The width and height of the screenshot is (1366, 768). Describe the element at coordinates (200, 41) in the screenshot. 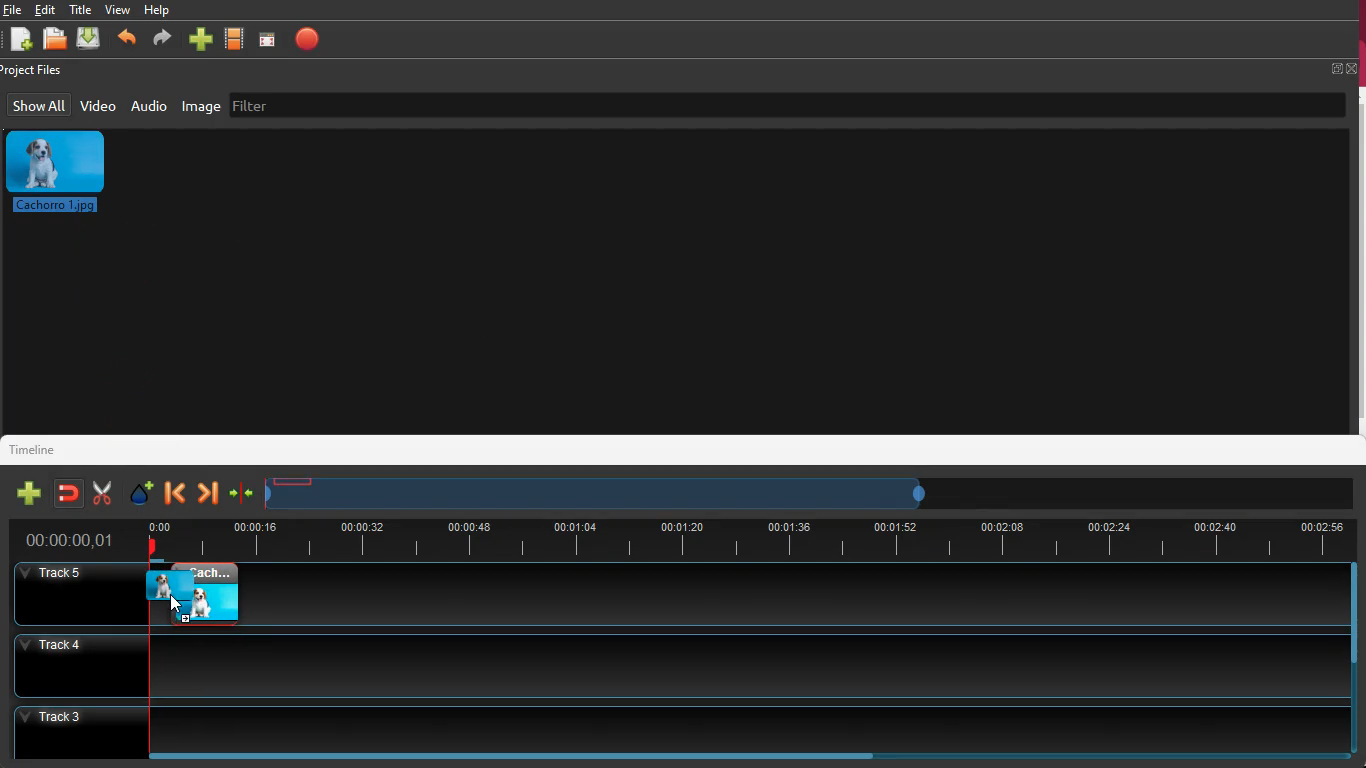

I see `add` at that location.